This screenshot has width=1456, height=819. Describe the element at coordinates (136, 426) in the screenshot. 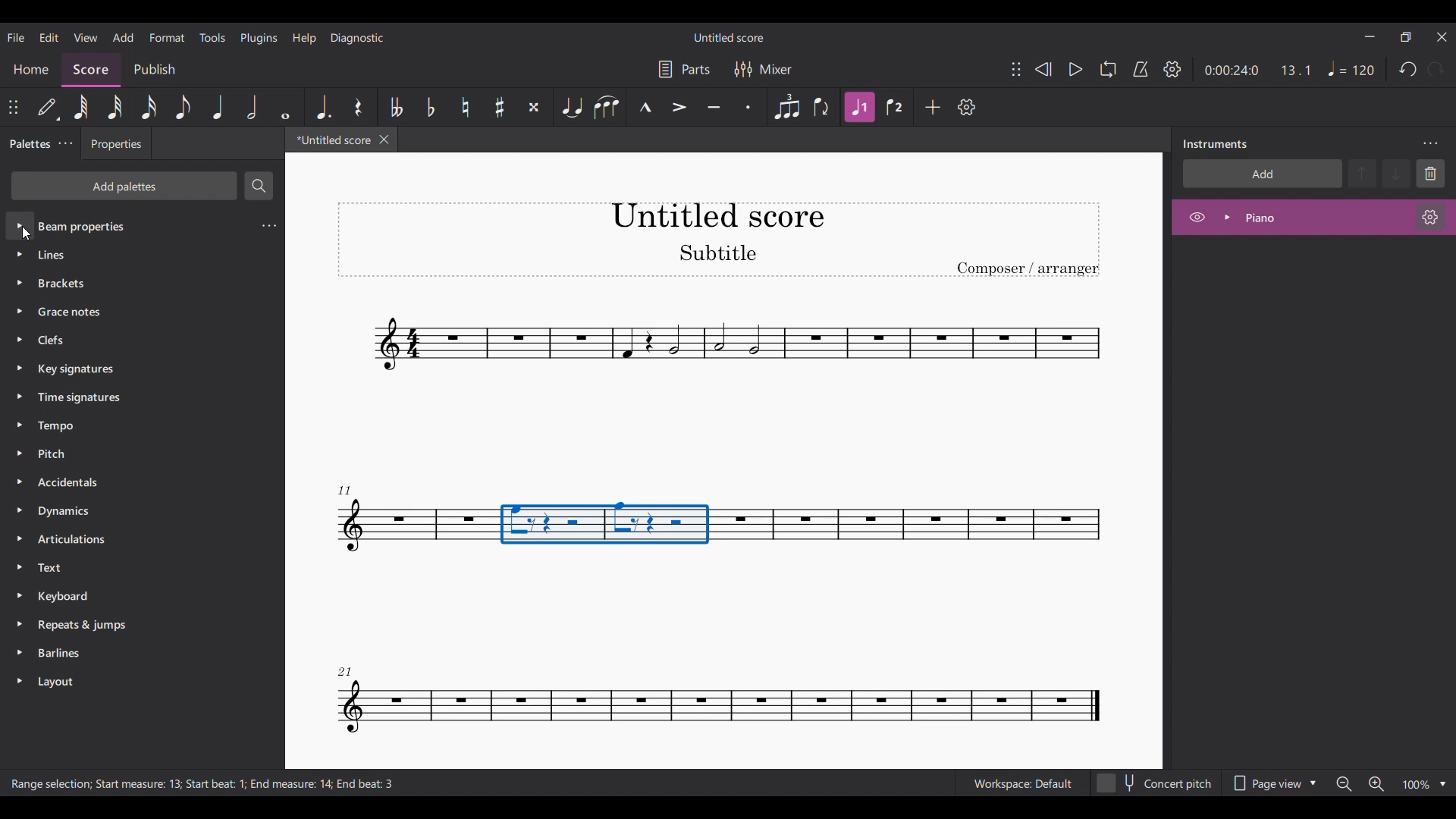

I see `Tempo` at that location.